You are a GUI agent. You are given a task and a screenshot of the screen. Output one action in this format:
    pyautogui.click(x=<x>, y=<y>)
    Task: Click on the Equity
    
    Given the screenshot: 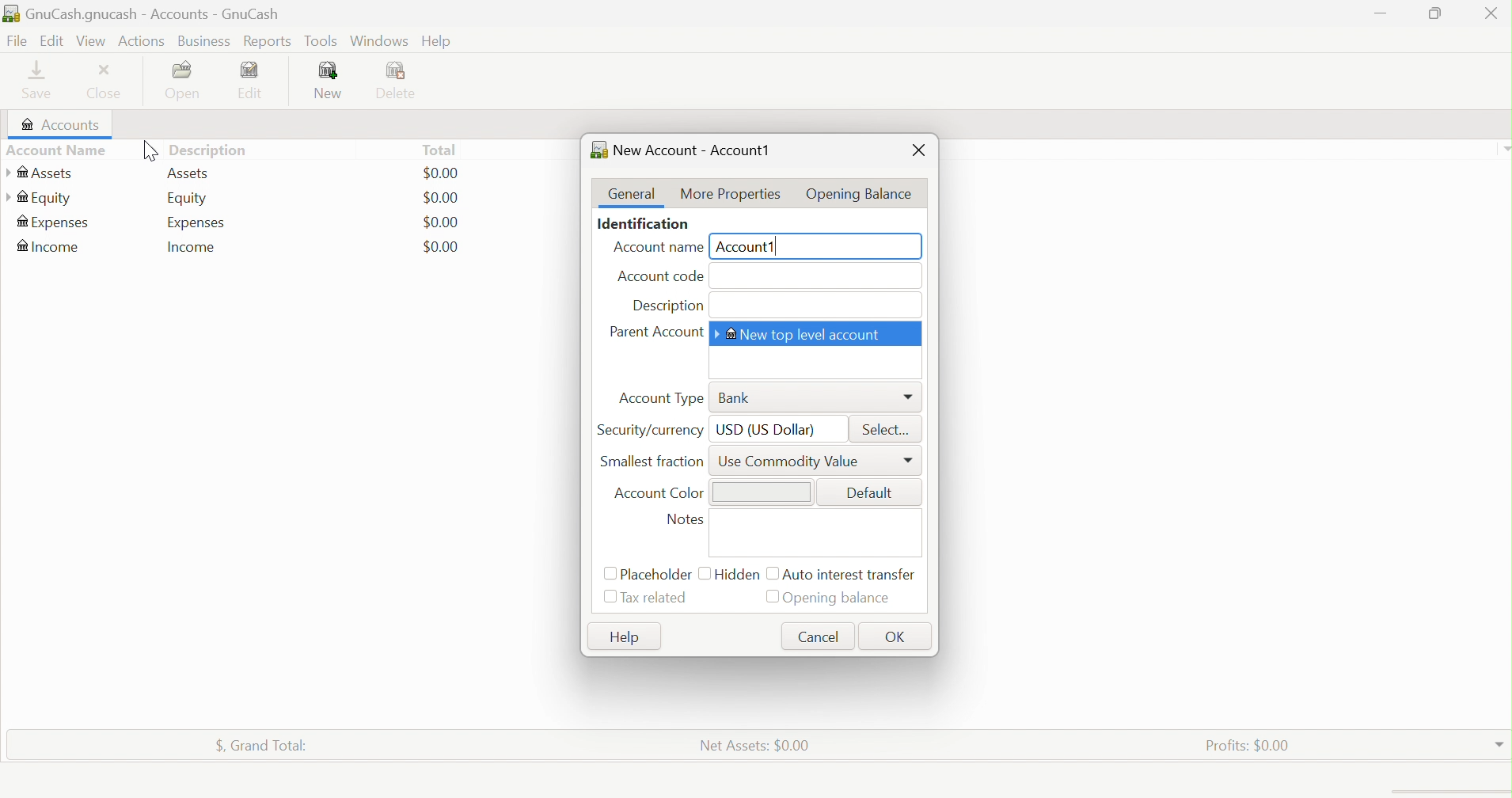 What is the action you would take?
    pyautogui.click(x=40, y=197)
    